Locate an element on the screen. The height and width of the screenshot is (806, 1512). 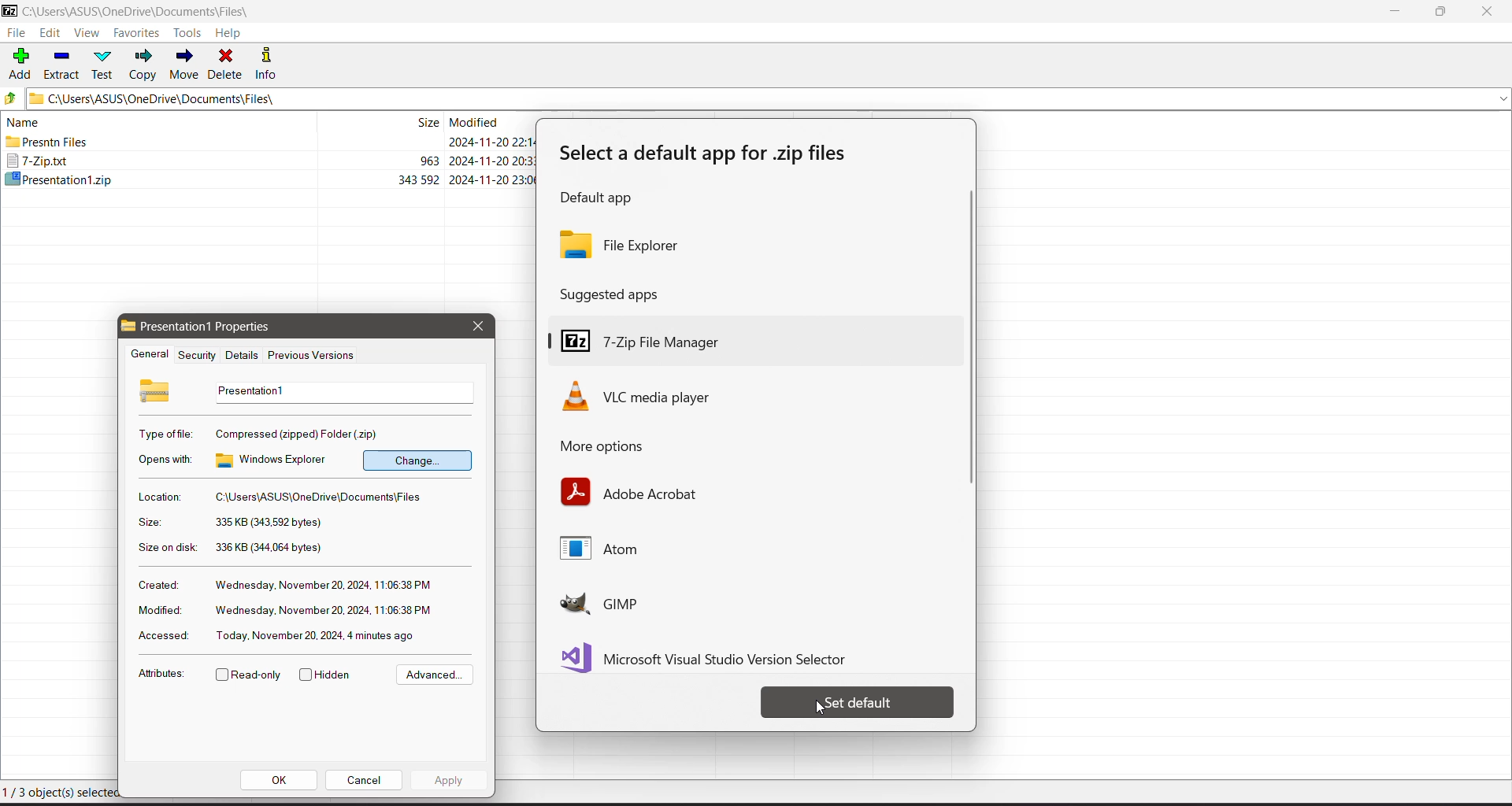
View is located at coordinates (87, 34).